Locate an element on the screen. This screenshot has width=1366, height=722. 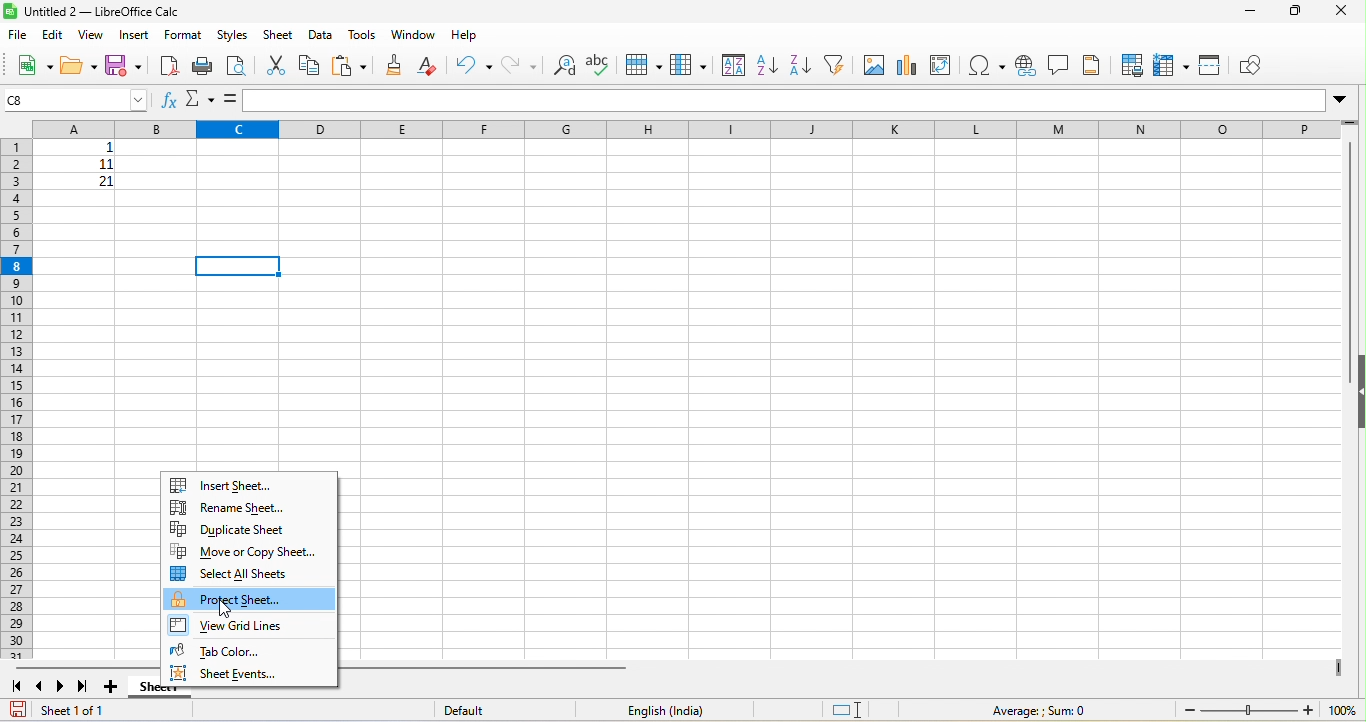
edit is located at coordinates (51, 35).